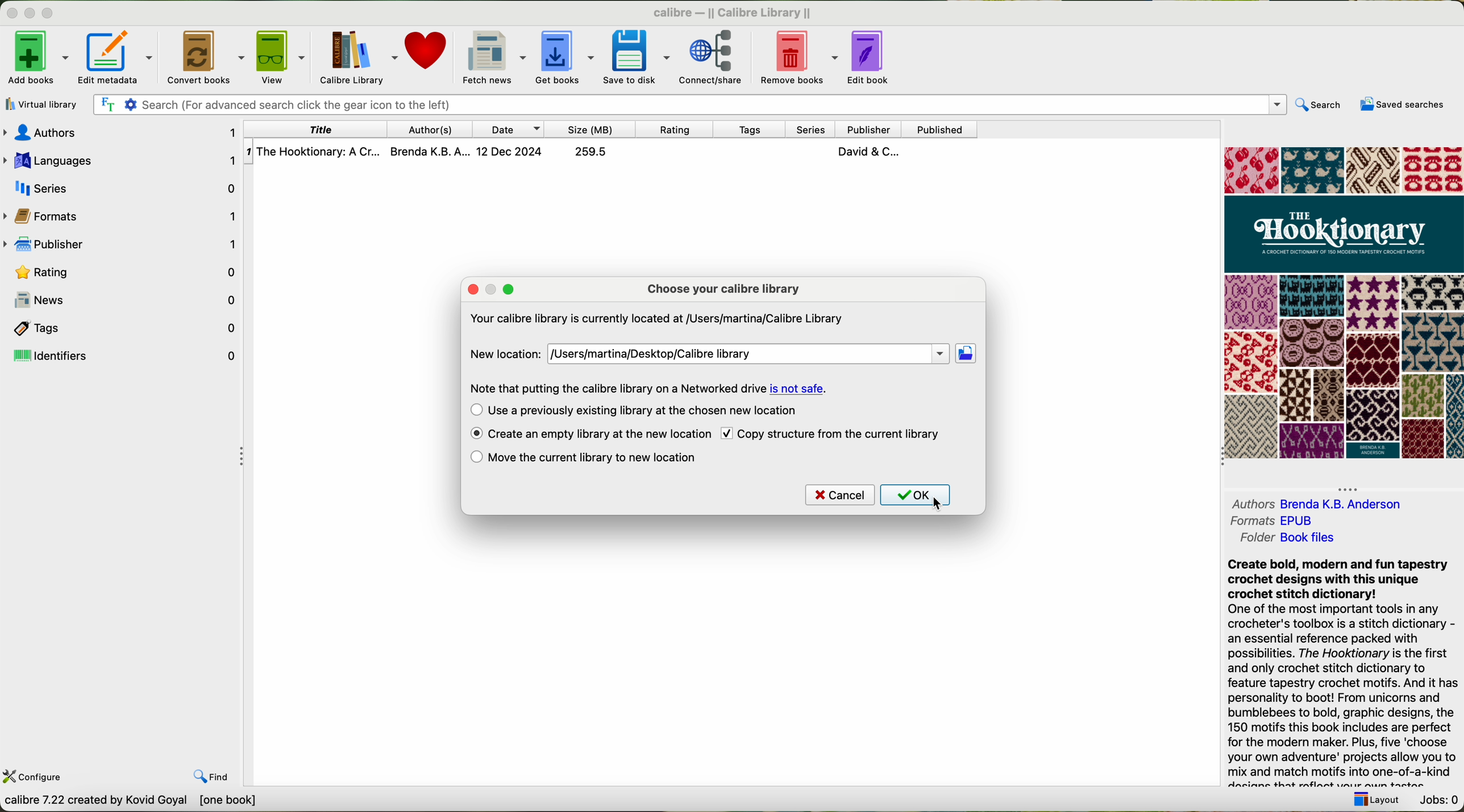  I want to click on jobs: 0, so click(1441, 801).